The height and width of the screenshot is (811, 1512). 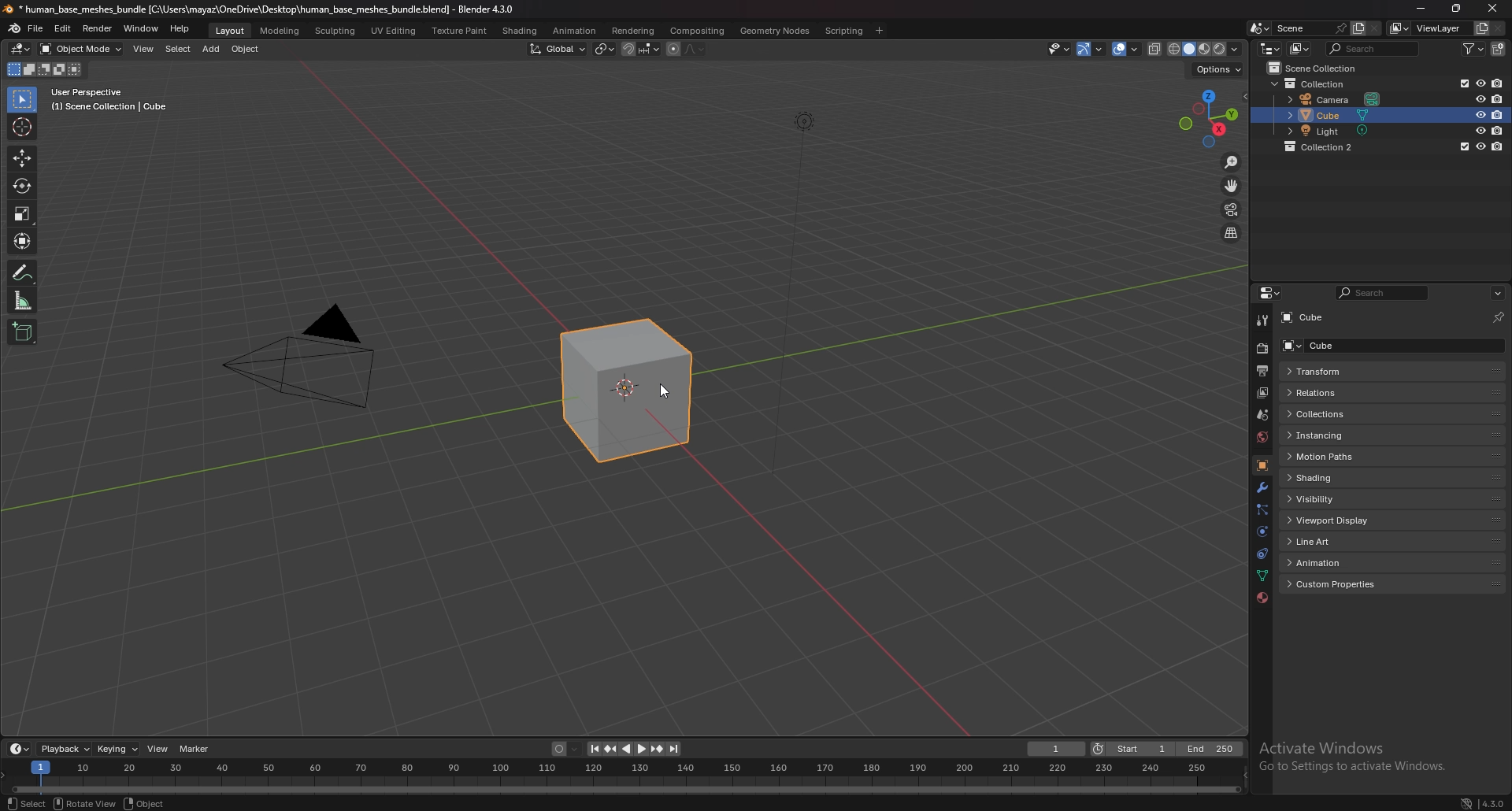 I want to click on cube, so click(x=1340, y=115).